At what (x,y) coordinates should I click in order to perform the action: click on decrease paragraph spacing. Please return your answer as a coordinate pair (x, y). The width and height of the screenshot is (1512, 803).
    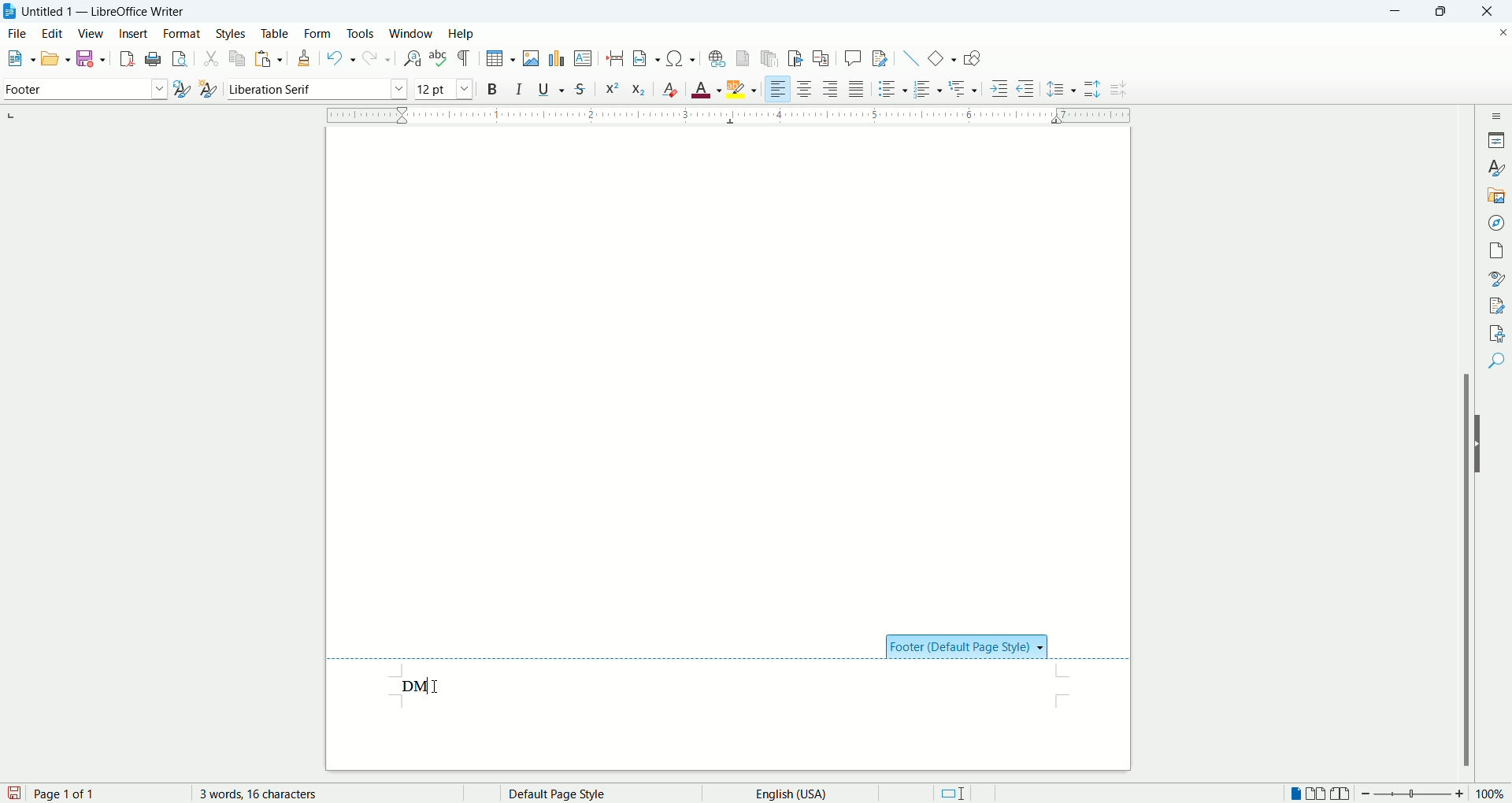
    Looking at the image, I should click on (1118, 90).